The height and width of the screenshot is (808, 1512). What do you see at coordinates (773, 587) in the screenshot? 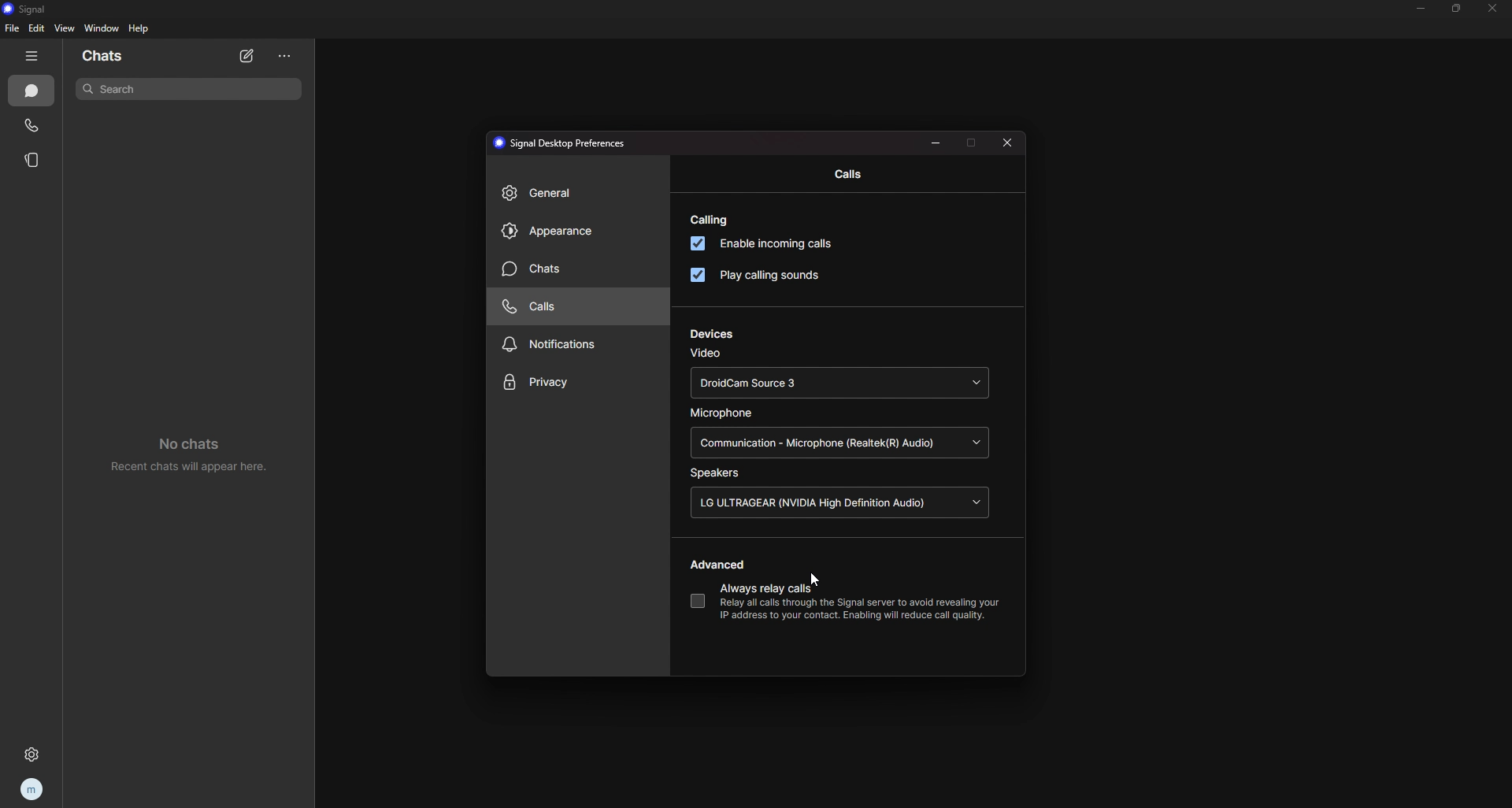
I see `always relay calls` at bounding box center [773, 587].